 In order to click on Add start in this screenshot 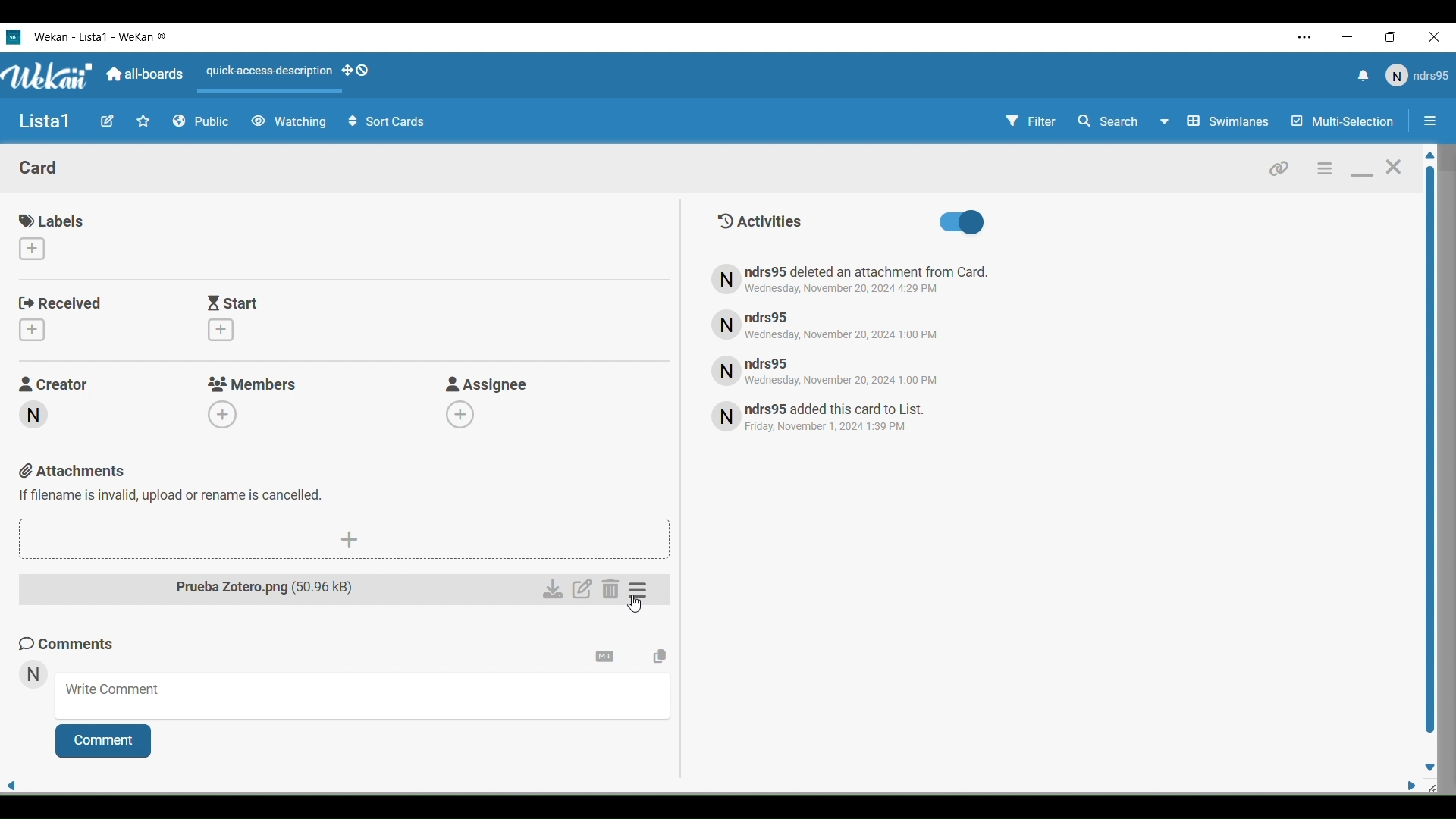, I will do `click(221, 330)`.